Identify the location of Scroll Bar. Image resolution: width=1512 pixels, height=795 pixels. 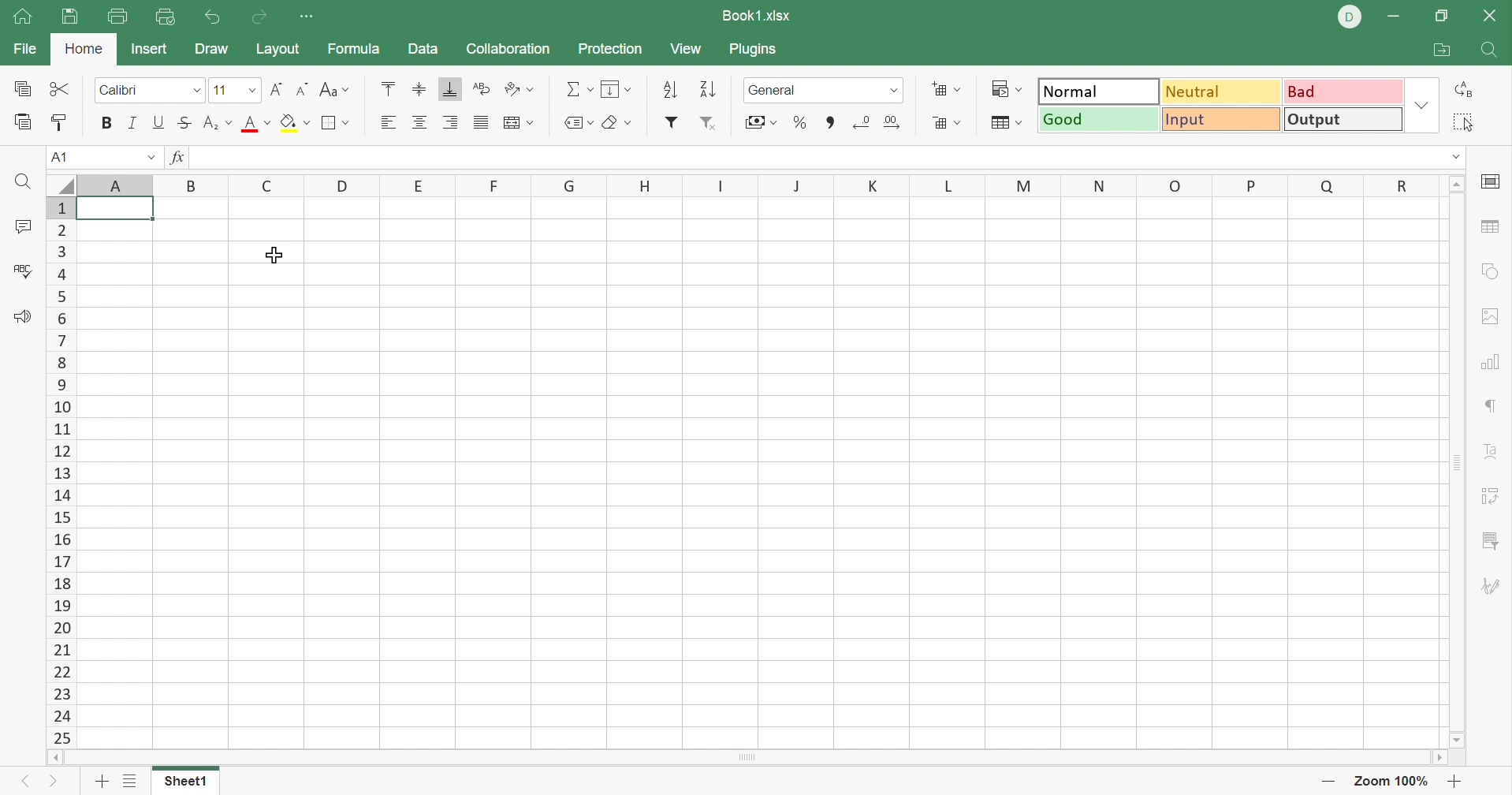
(1458, 462).